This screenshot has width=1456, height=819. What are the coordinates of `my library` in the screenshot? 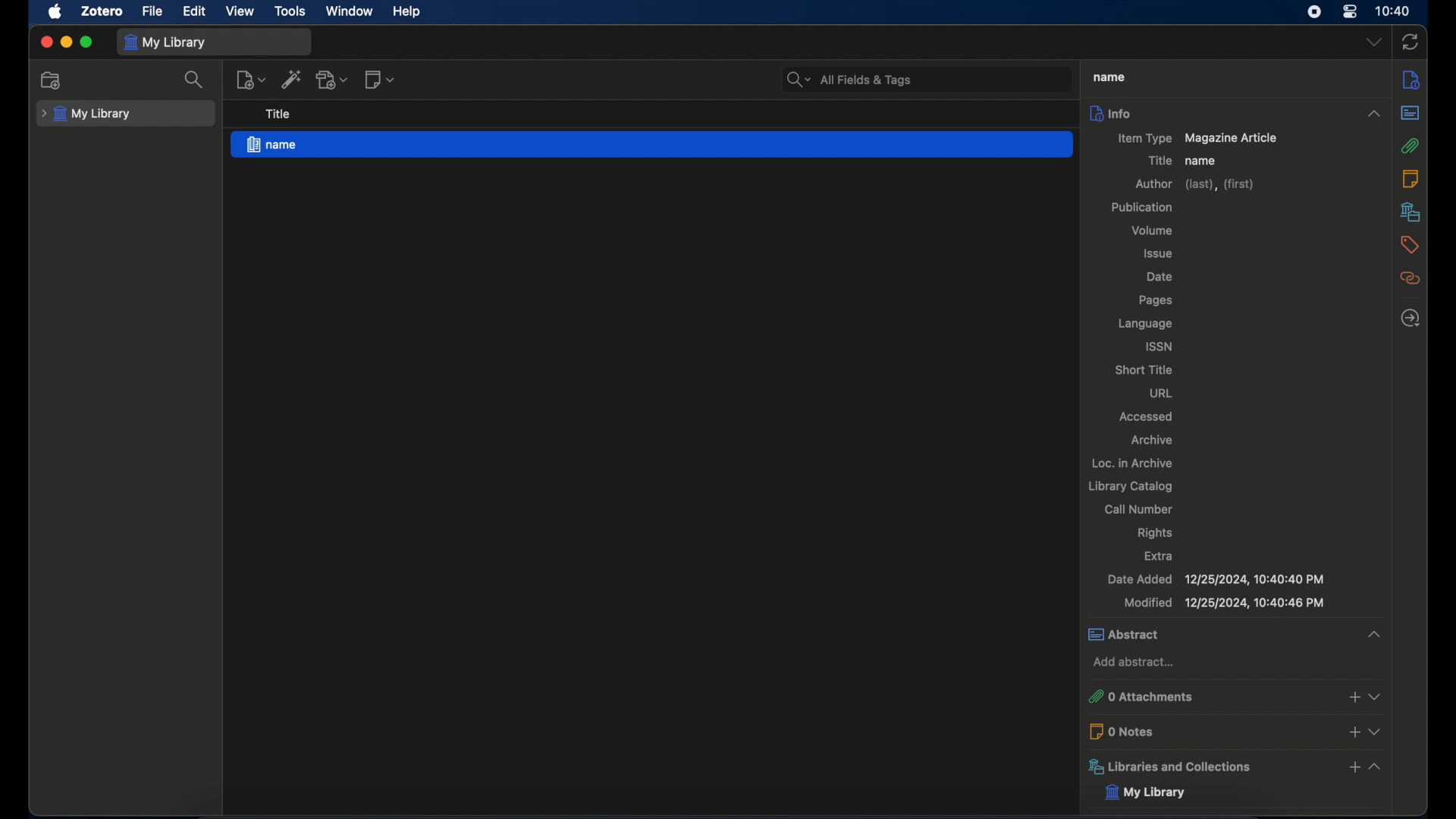 It's located at (1155, 792).